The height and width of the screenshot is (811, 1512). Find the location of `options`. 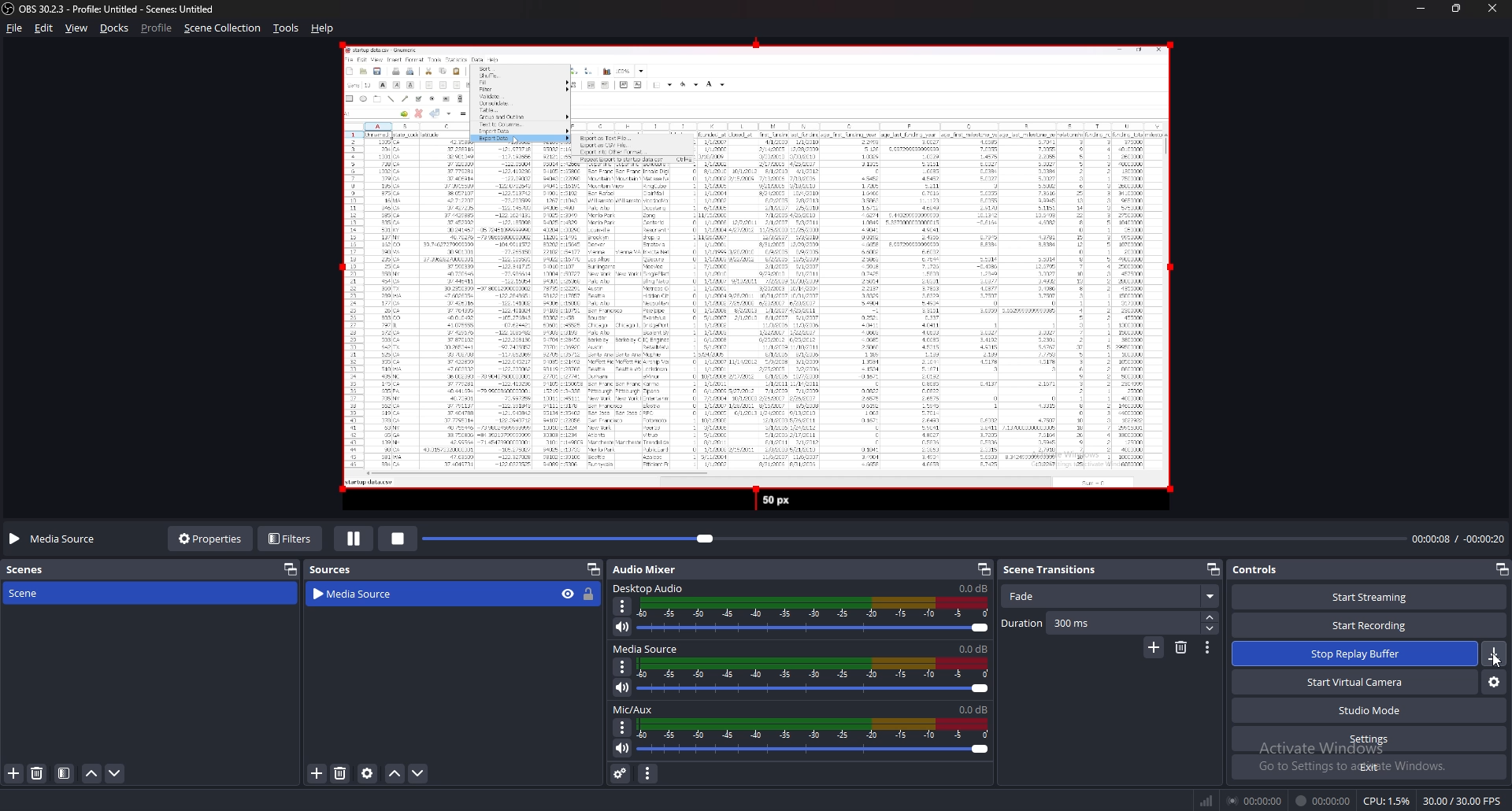

options is located at coordinates (624, 666).